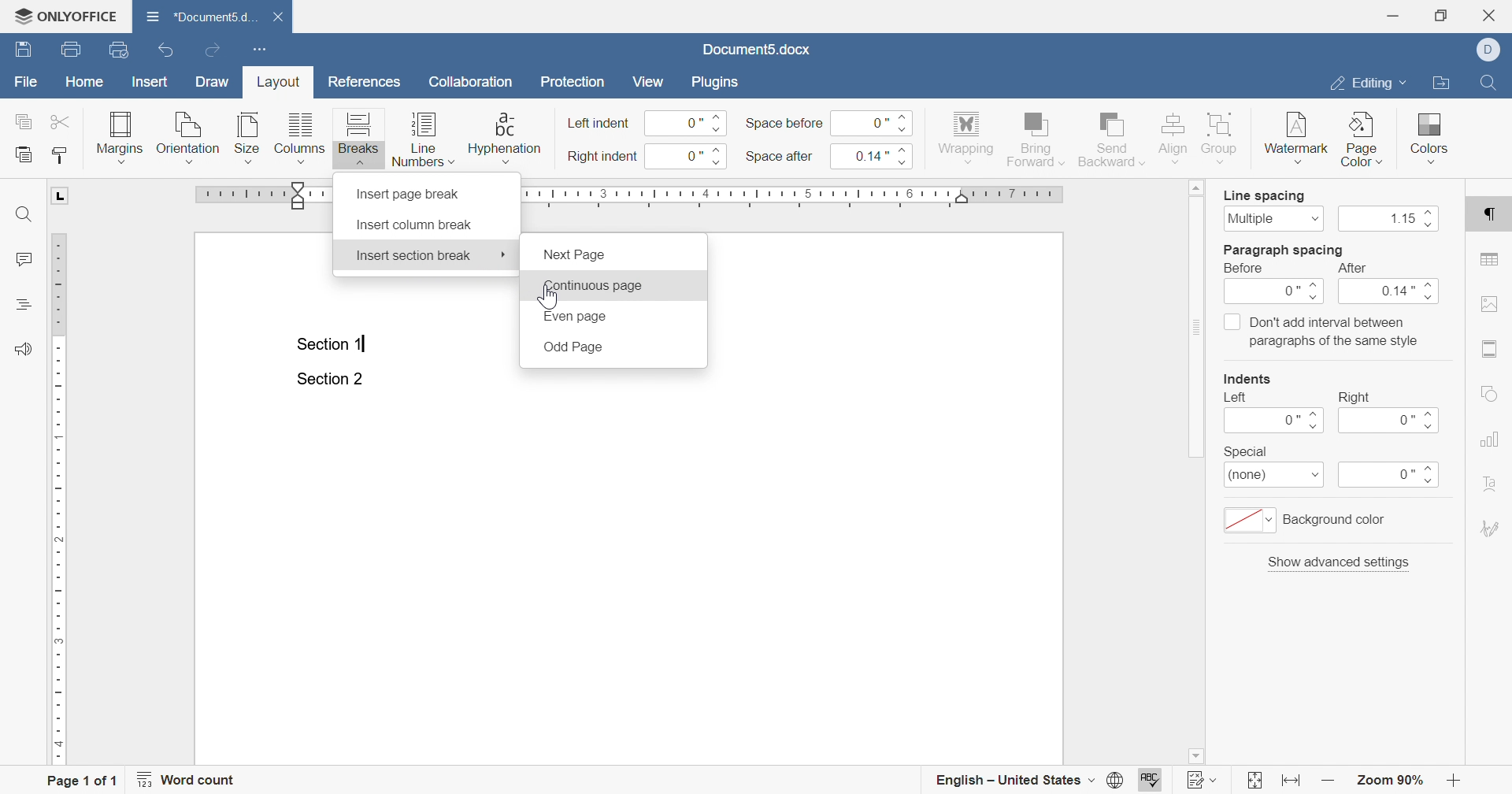 The height and width of the screenshot is (794, 1512). I want to click on continuous page, so click(591, 287).